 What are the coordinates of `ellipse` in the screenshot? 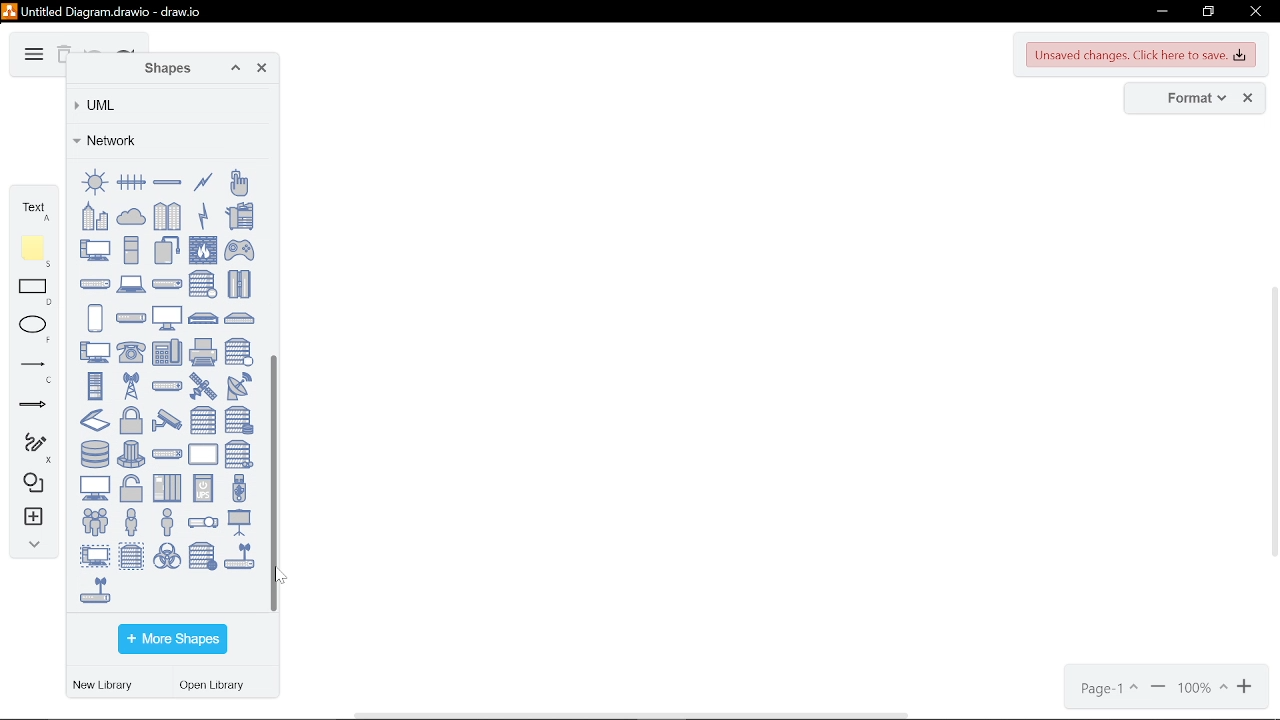 It's located at (36, 329).